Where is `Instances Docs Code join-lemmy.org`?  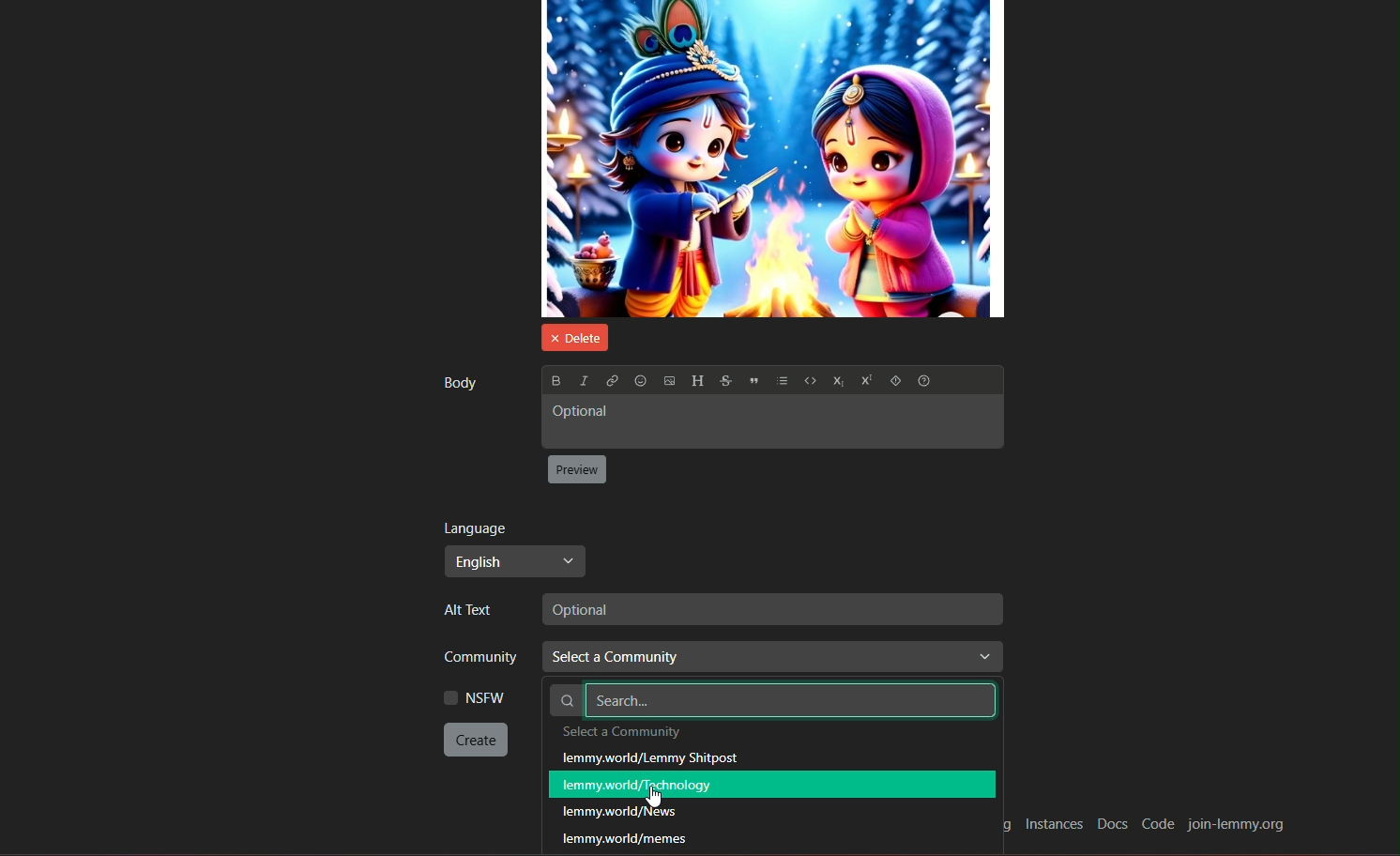
Instances Docs Code join-lemmy.org is located at coordinates (1156, 826).